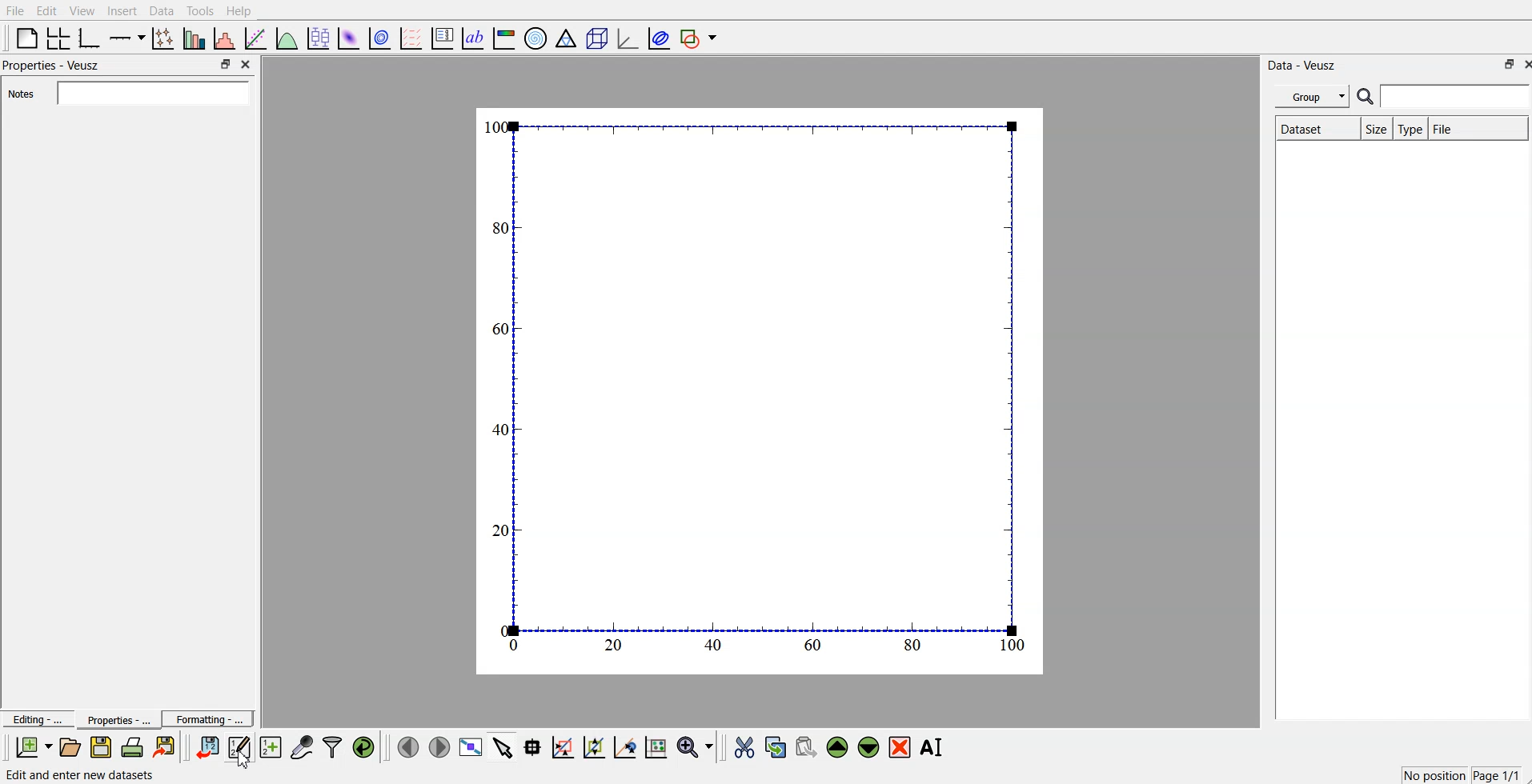  I want to click on Save, so click(101, 747).